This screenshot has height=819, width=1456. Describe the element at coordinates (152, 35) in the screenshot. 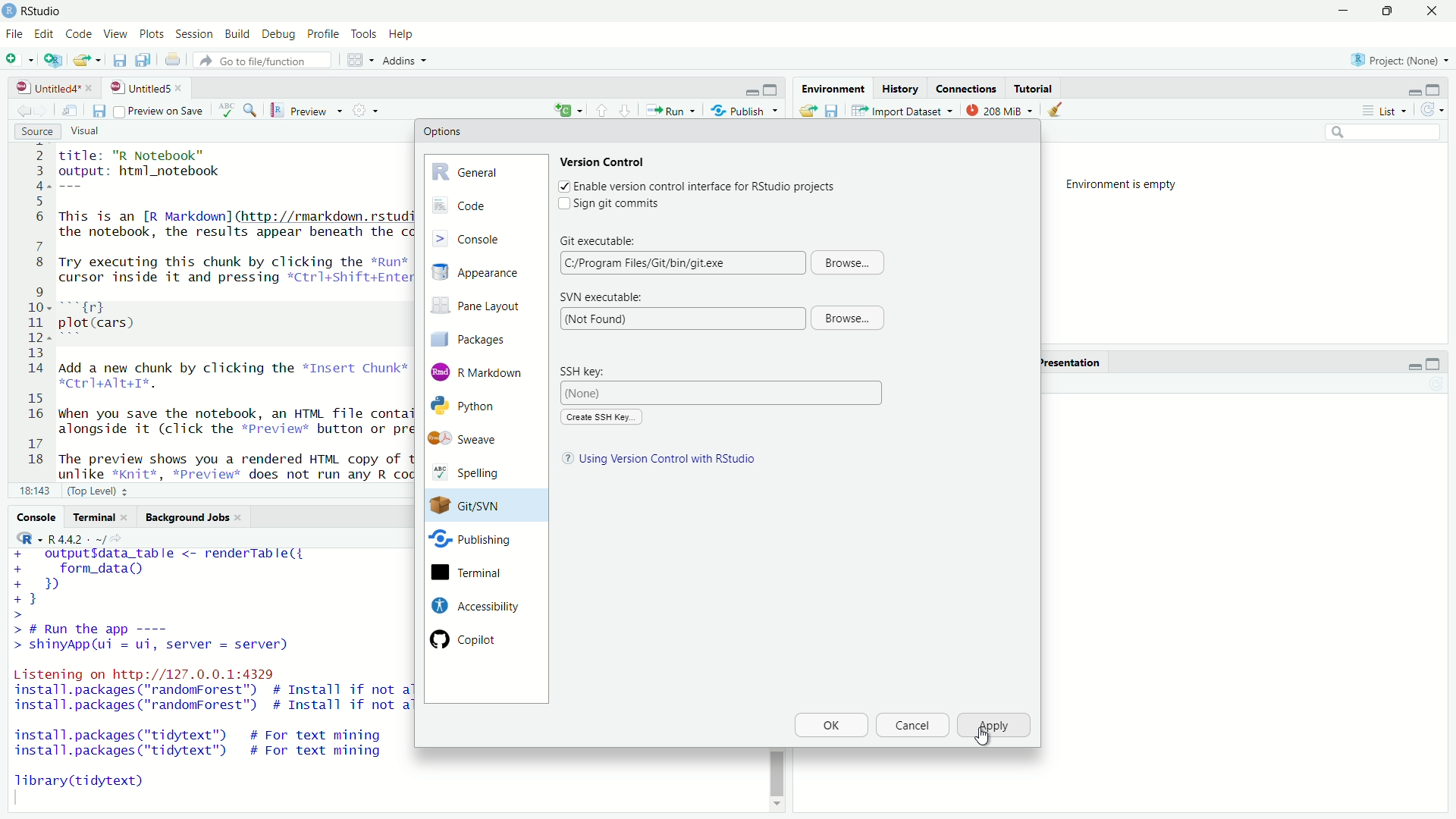

I see `Plots` at that location.